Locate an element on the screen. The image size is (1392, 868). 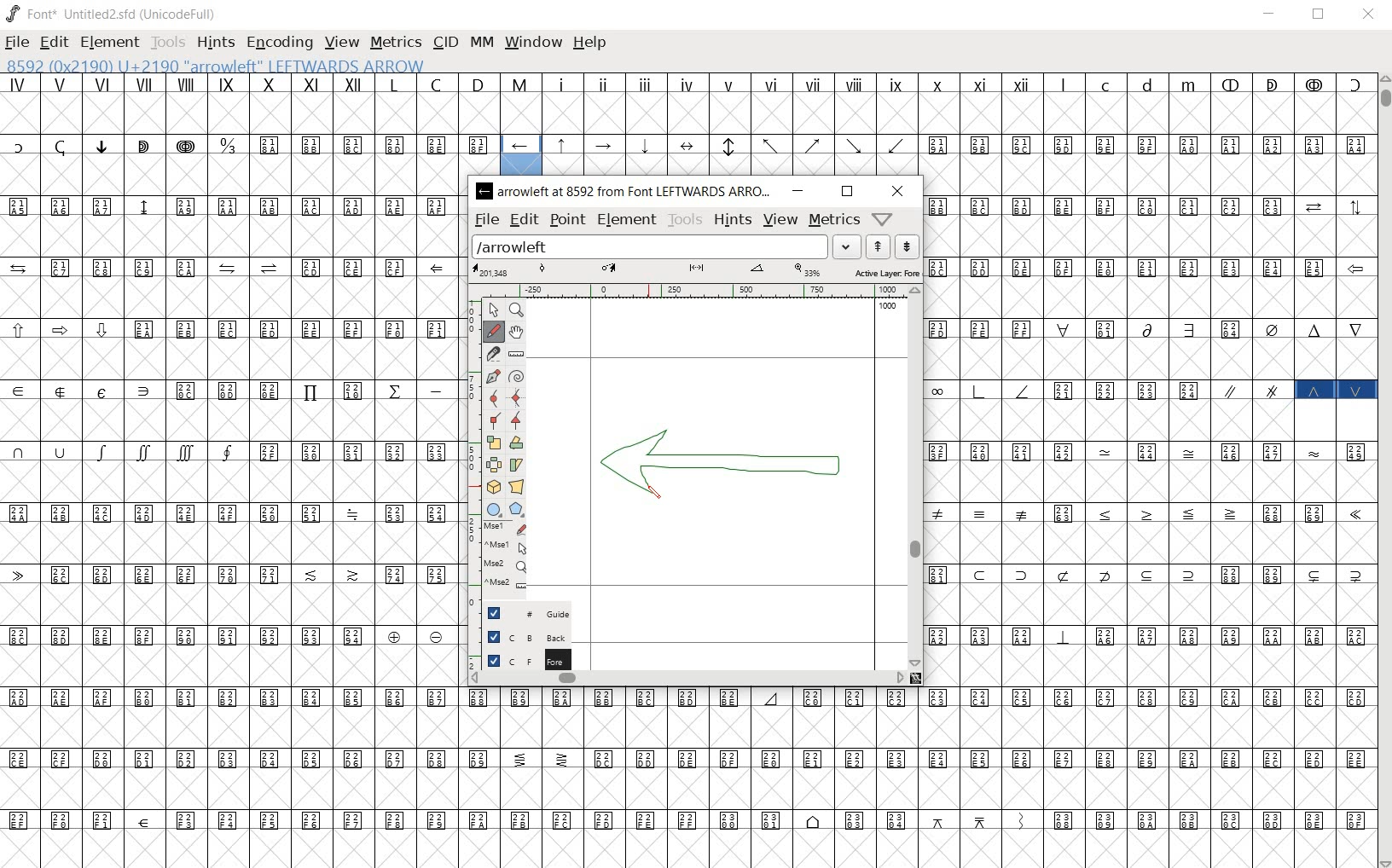
glyph name is located at coordinates (230, 65).